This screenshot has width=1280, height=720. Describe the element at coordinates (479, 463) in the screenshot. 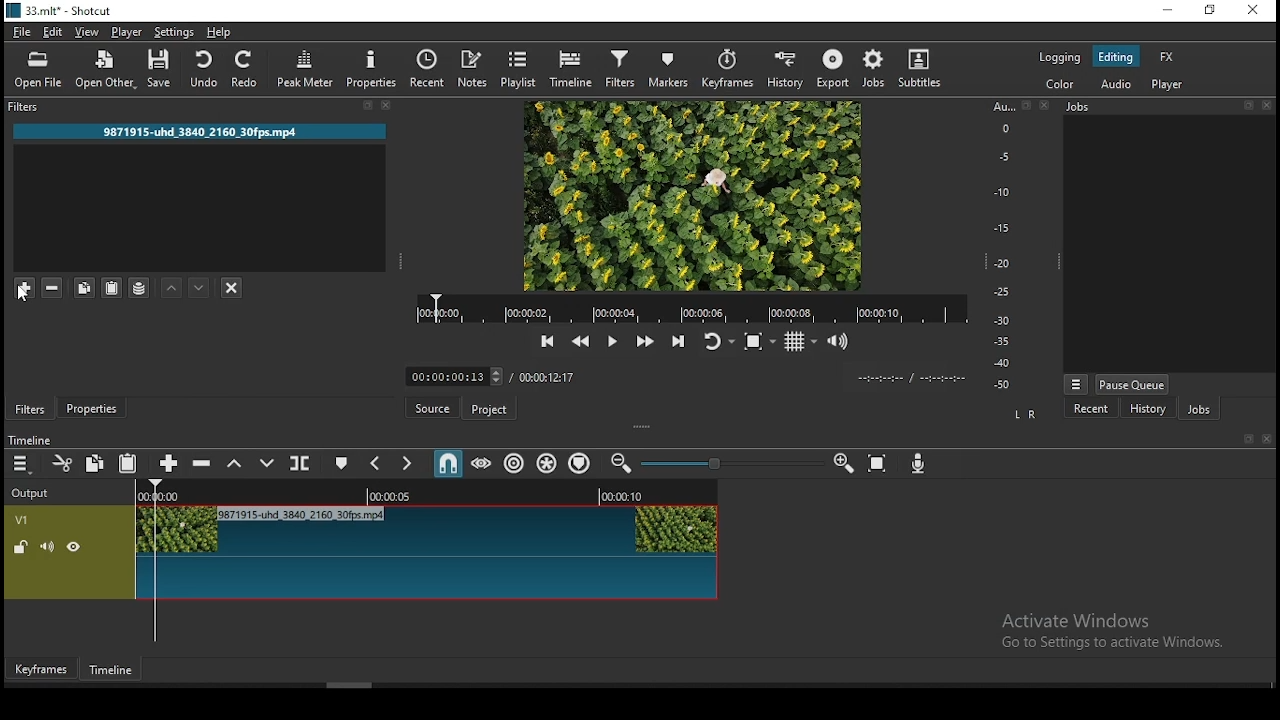

I see `scrub while dragging` at that location.